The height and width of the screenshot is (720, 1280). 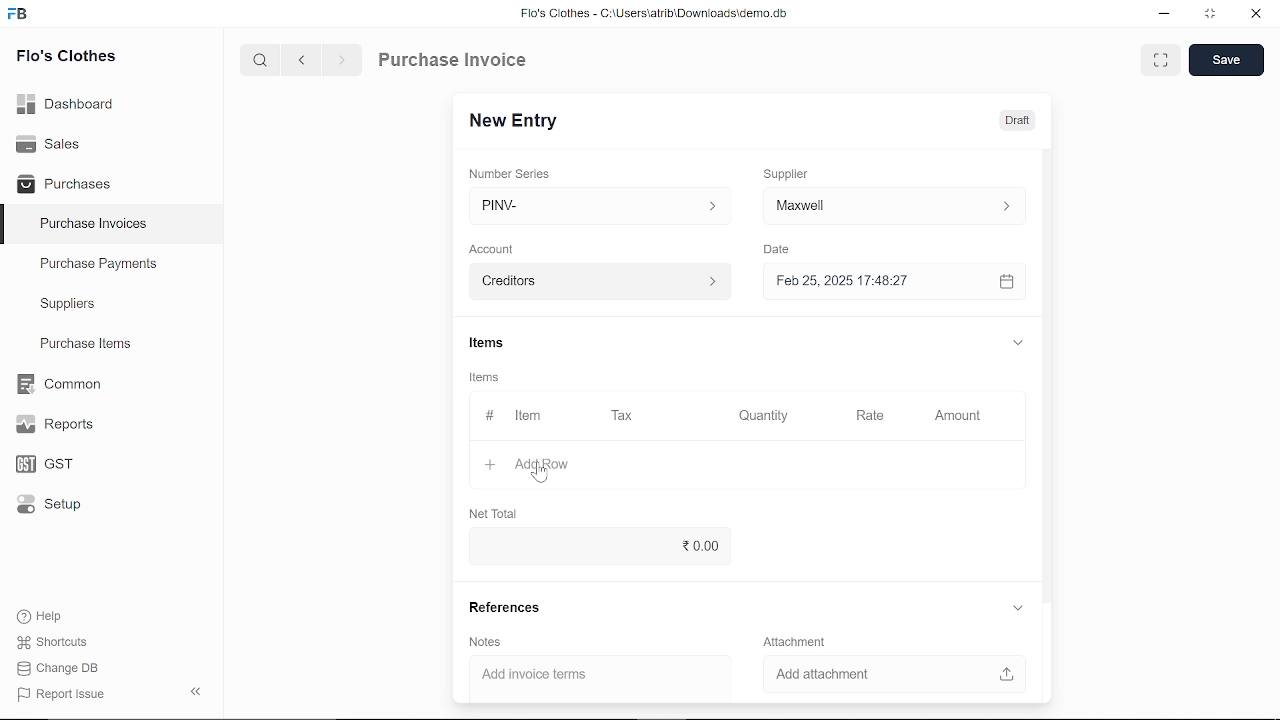 I want to click on minimize, so click(x=1162, y=14).